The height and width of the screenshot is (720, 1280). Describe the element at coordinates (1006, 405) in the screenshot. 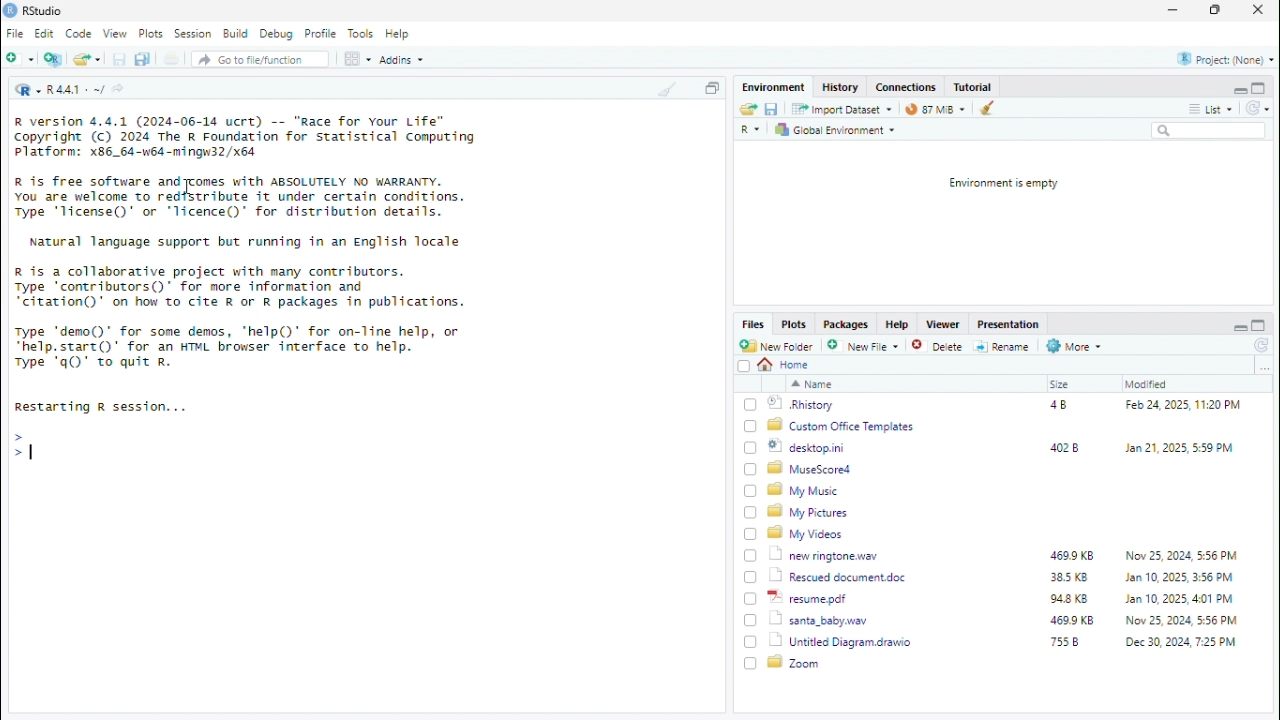

I see `.Rhistory 4B Feb 24, 2025, 11:20 PM.` at that location.